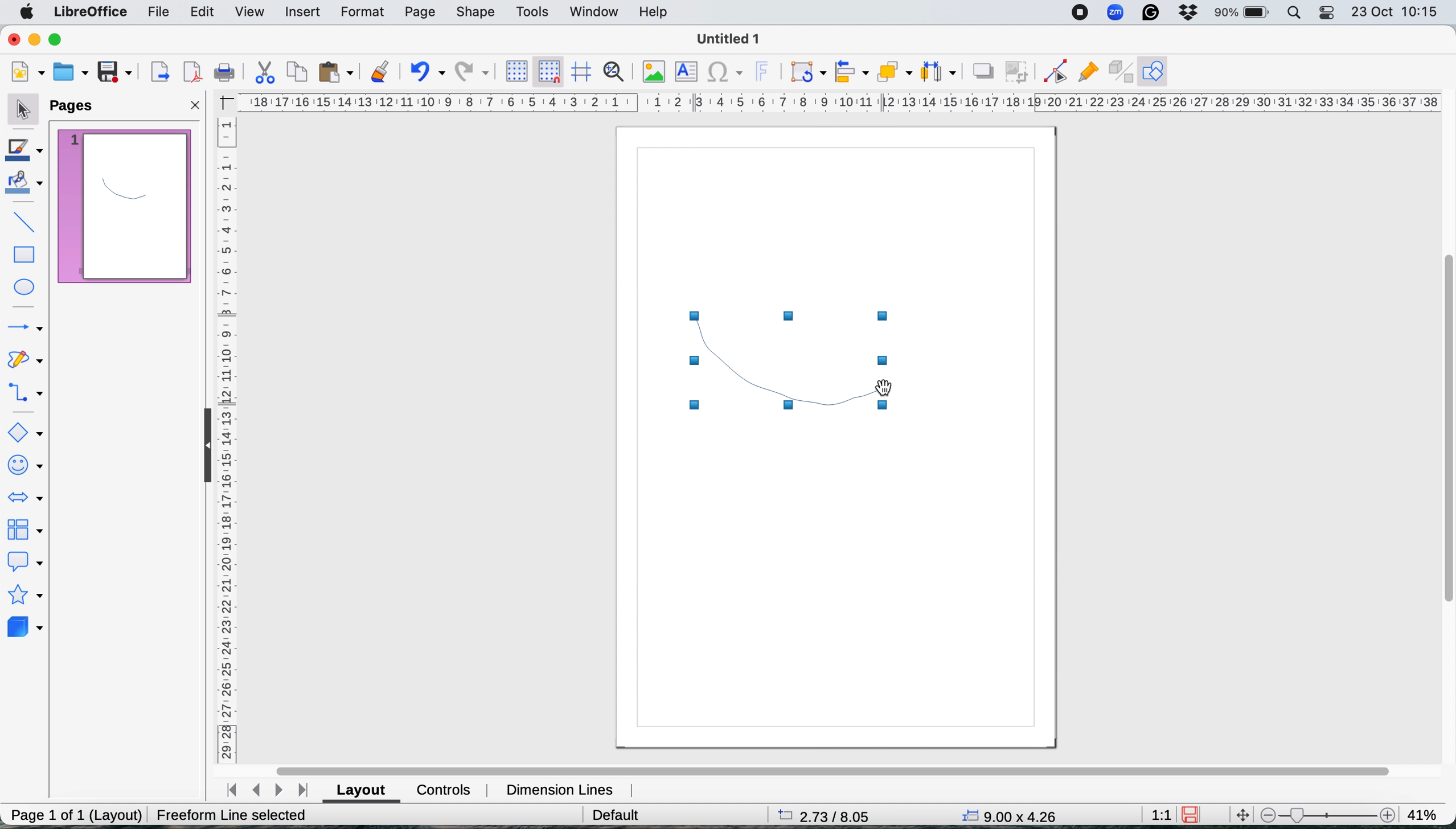 The width and height of the screenshot is (1456, 829). What do you see at coordinates (520, 71) in the screenshot?
I see `display grid` at bounding box center [520, 71].